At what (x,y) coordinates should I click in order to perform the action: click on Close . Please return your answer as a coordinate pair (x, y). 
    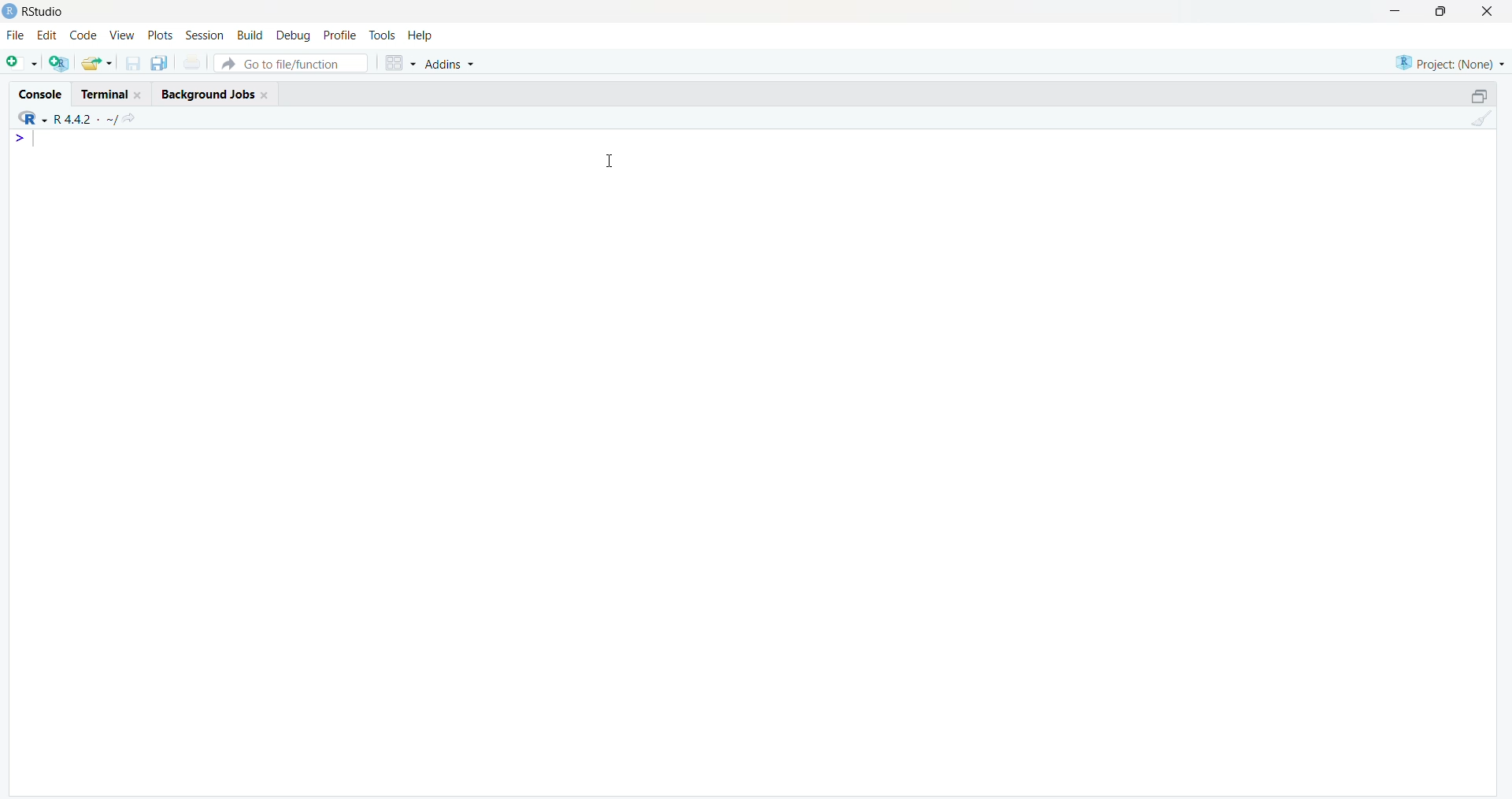
    Looking at the image, I should click on (139, 95).